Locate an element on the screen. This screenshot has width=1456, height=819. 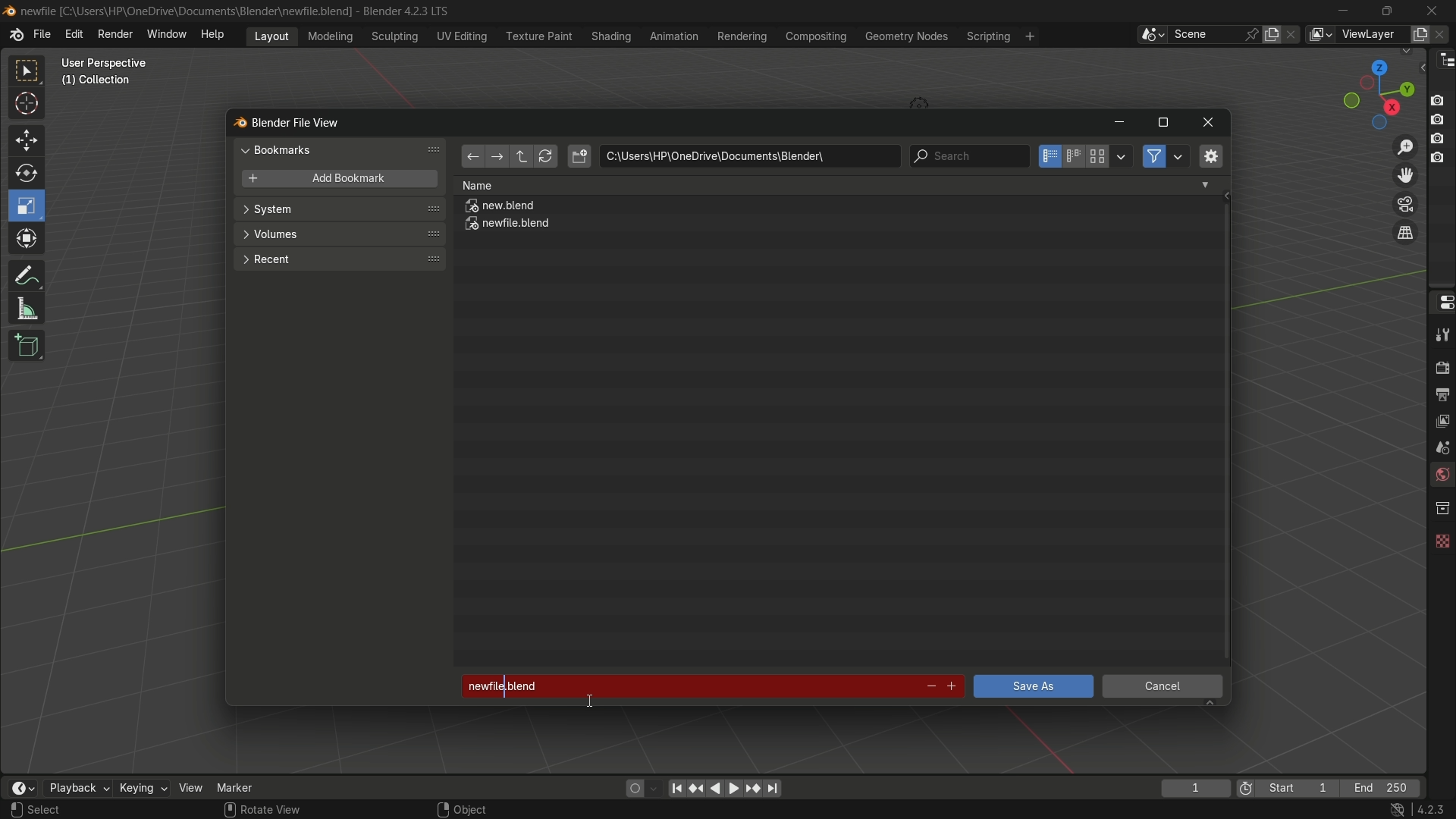
texture is located at coordinates (1441, 538).